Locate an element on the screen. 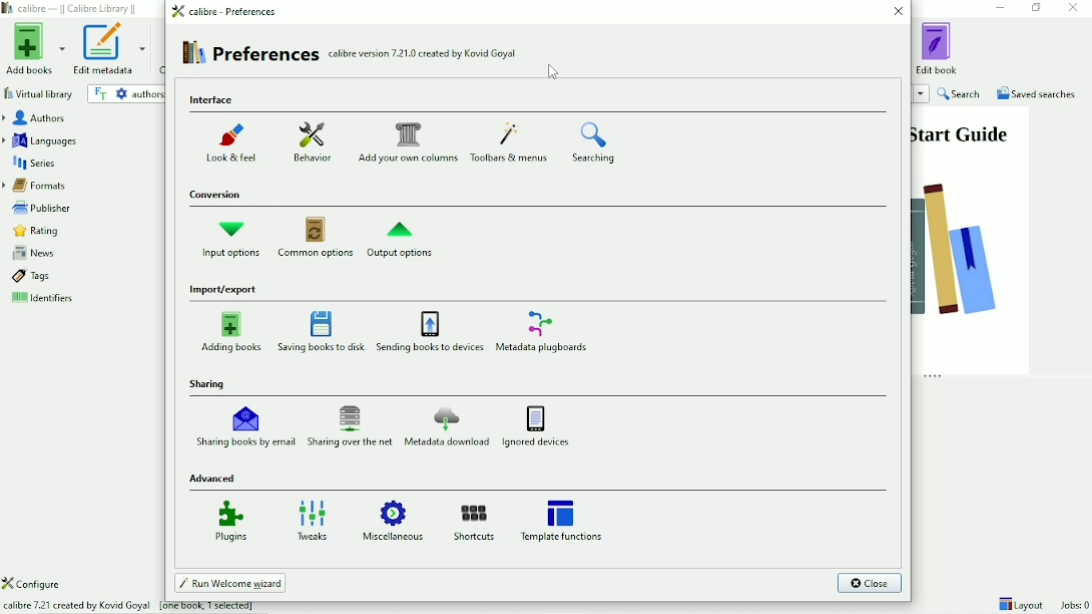 The width and height of the screenshot is (1092, 614). Virtual library is located at coordinates (39, 93).